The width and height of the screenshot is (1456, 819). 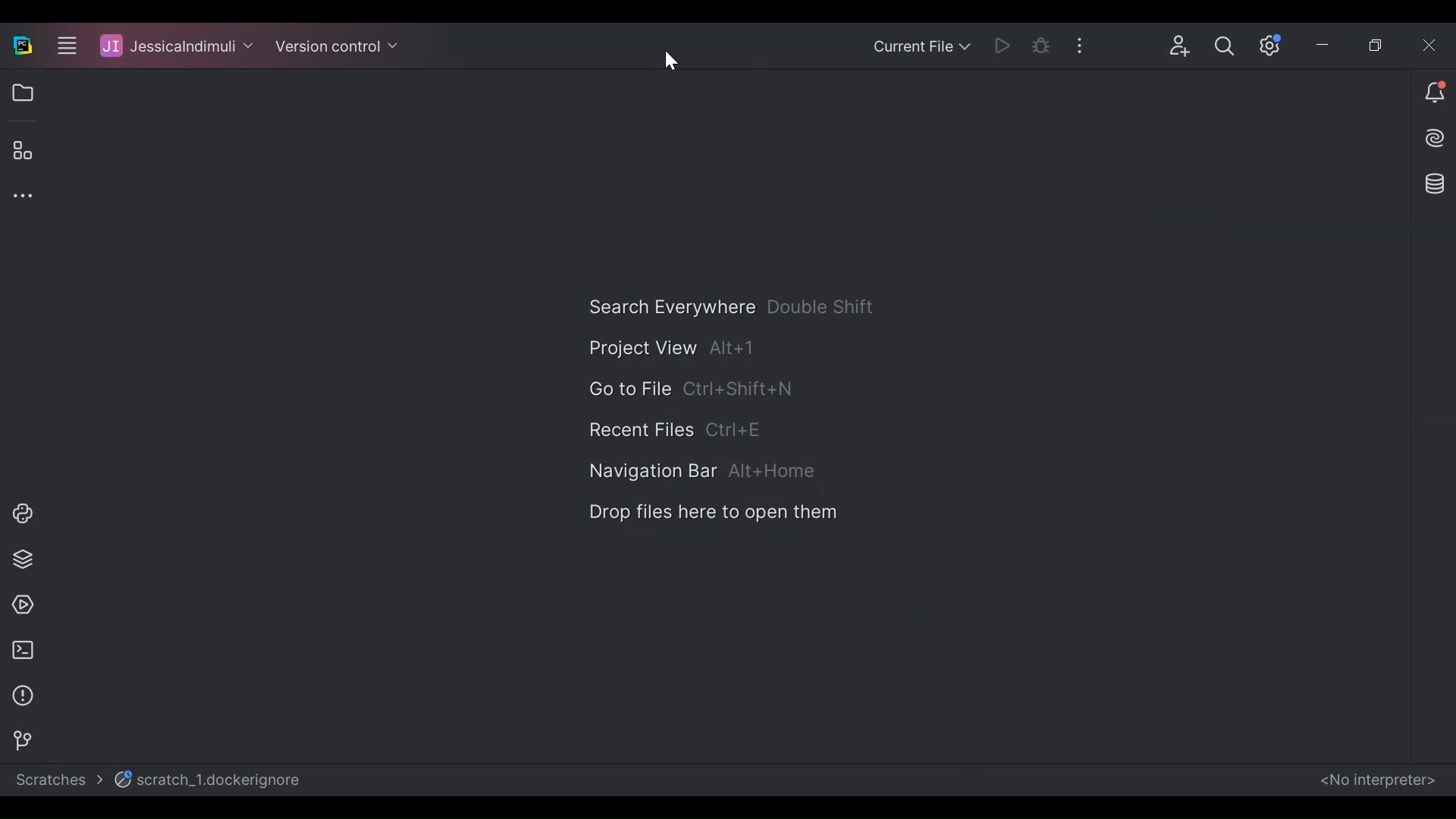 What do you see at coordinates (20, 92) in the screenshot?
I see `Project View` at bounding box center [20, 92].